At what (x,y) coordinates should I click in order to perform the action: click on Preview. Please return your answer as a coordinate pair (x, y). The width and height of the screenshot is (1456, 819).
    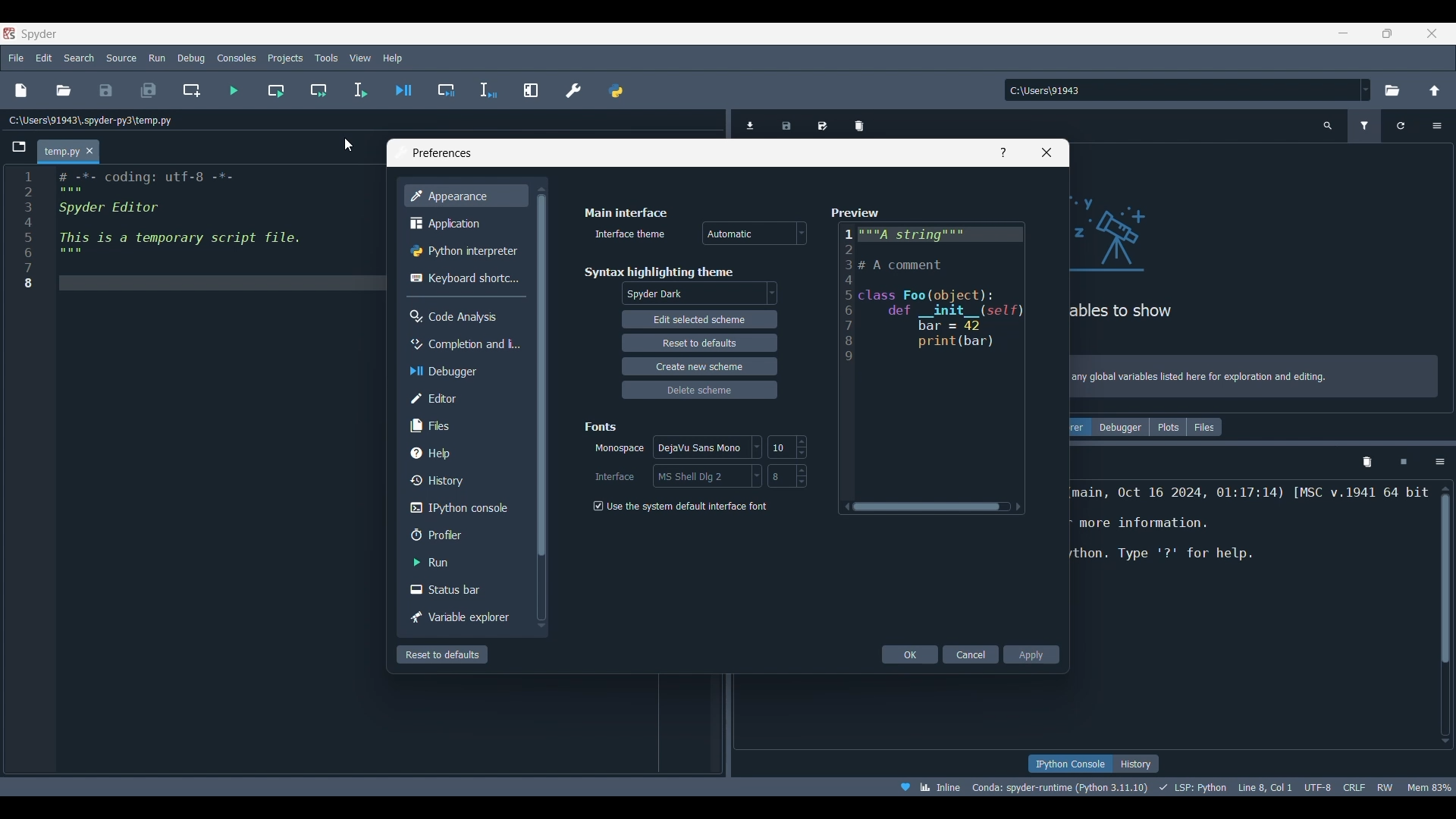
    Looking at the image, I should click on (857, 212).